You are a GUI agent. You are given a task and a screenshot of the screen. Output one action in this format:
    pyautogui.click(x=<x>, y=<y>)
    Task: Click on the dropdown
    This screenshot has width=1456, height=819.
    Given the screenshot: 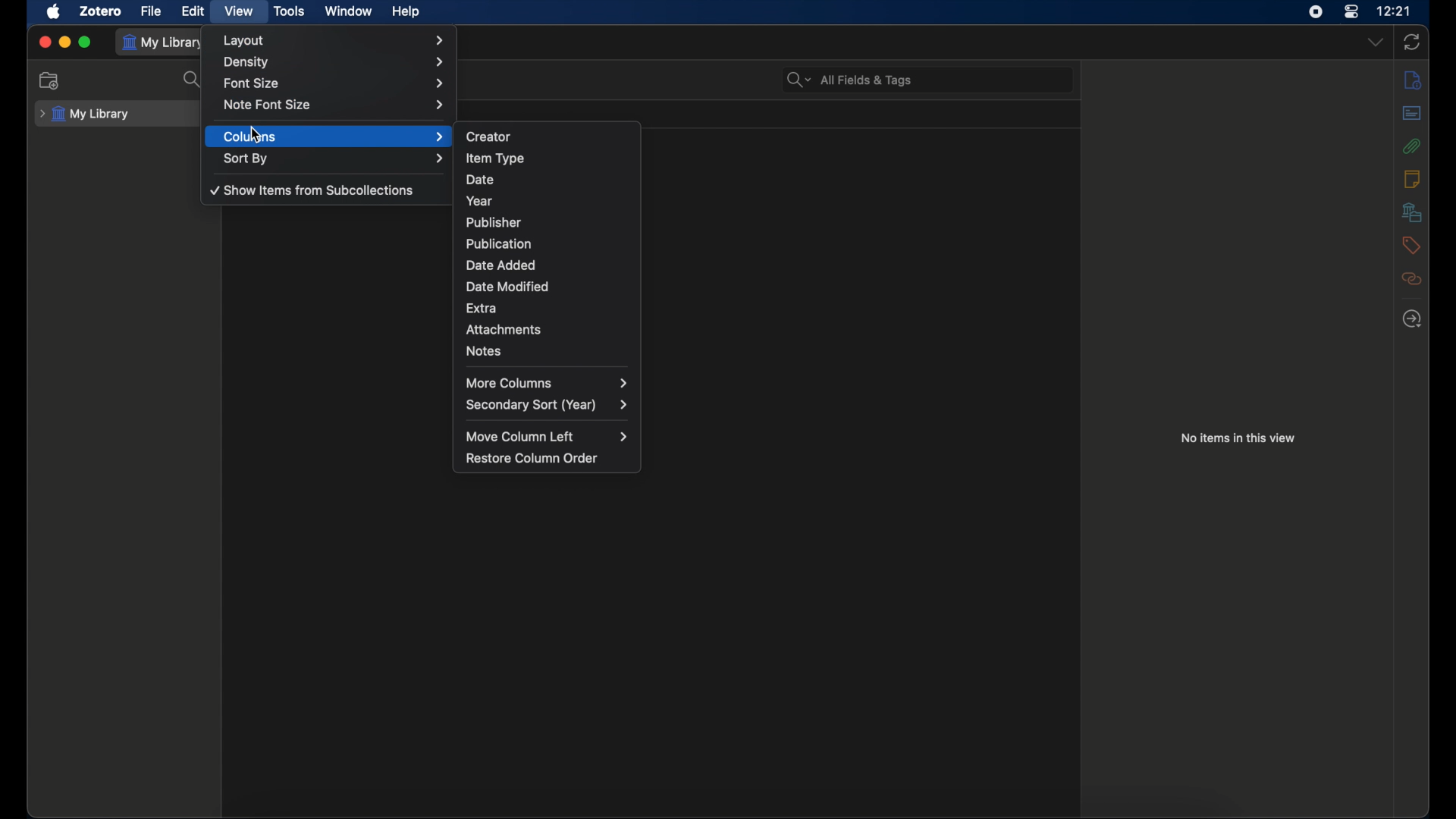 What is the action you would take?
    pyautogui.click(x=1377, y=42)
    